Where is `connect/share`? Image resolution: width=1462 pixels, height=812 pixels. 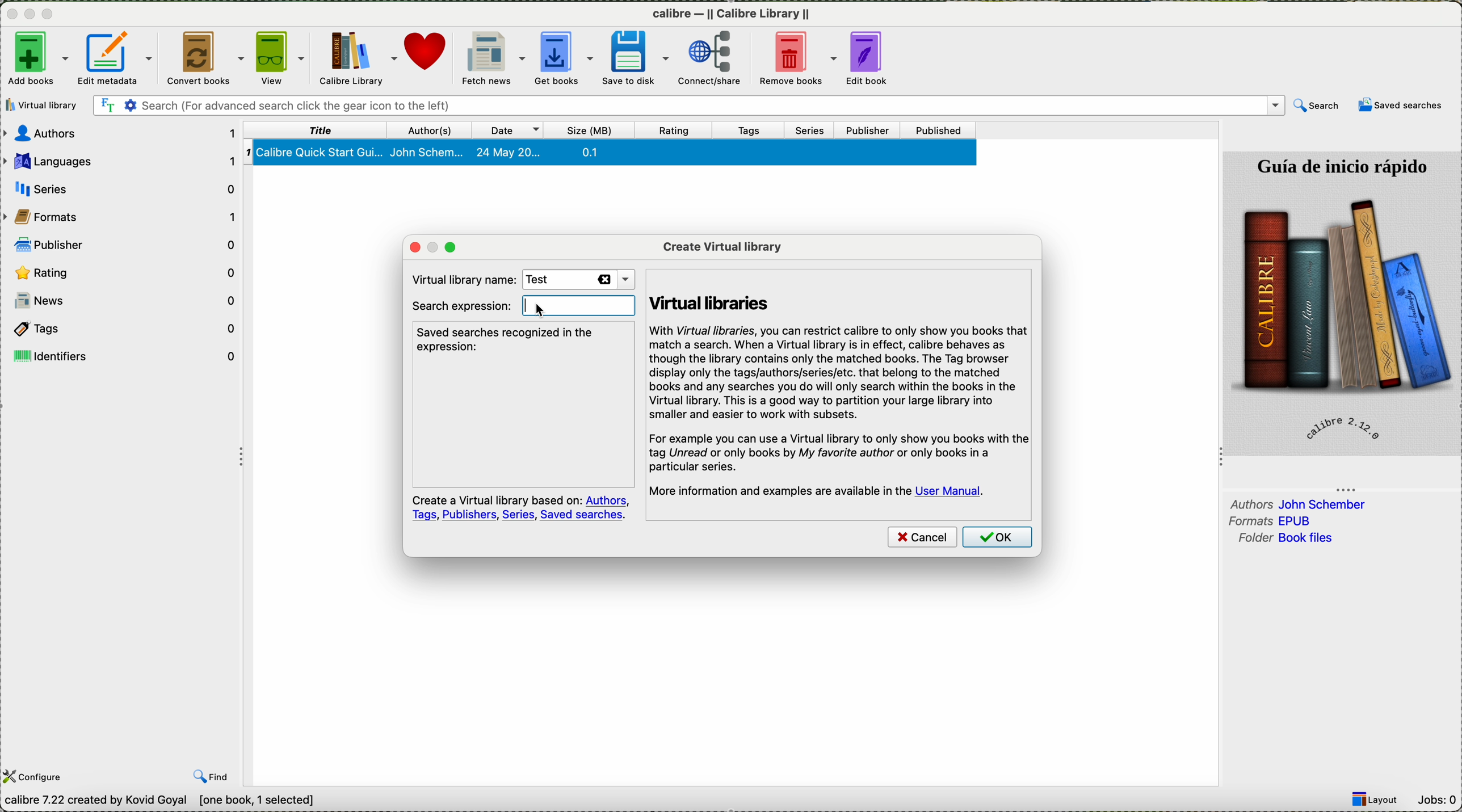
connect/share is located at coordinates (717, 60).